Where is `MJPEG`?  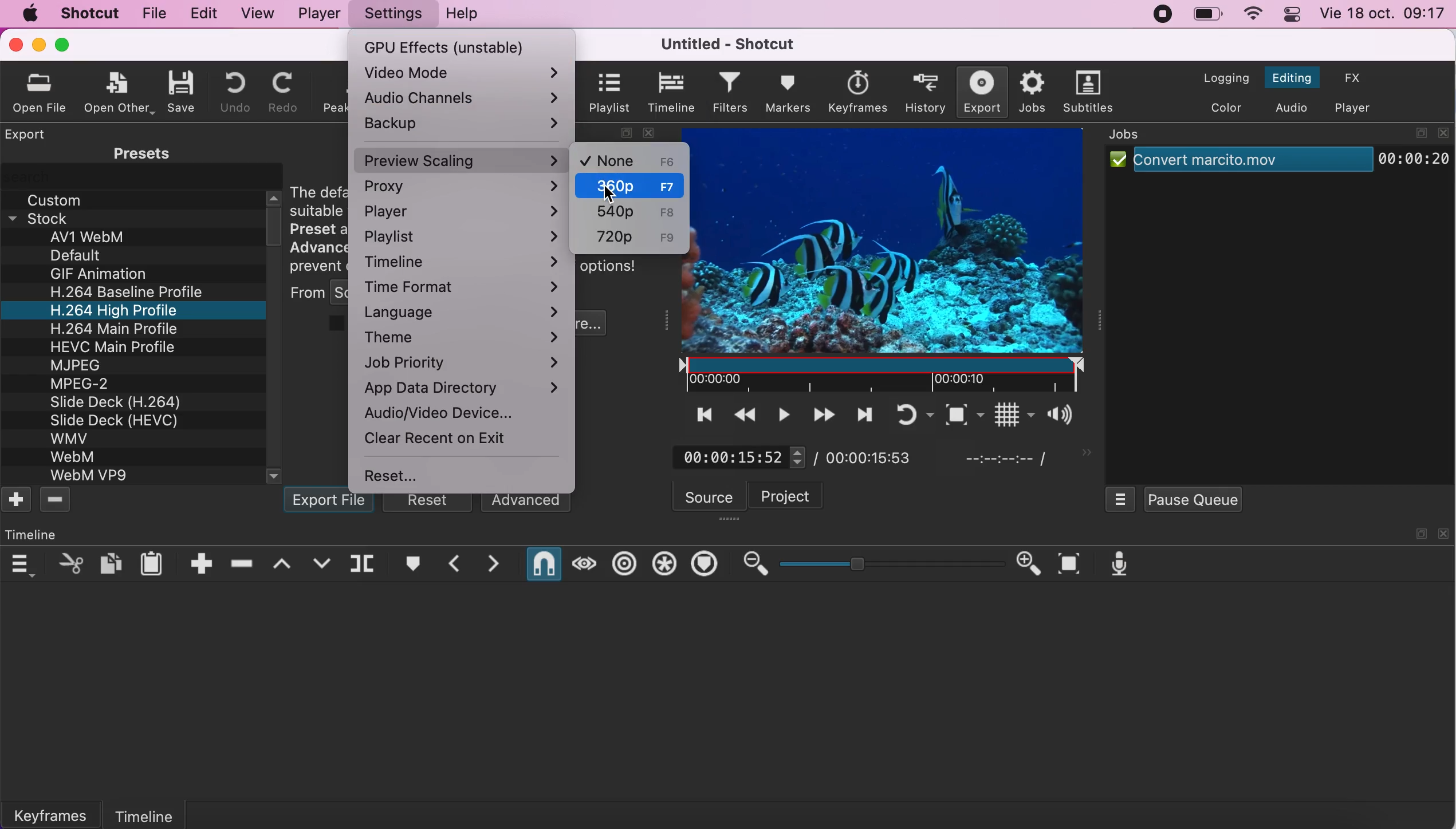 MJPEG is located at coordinates (80, 364).